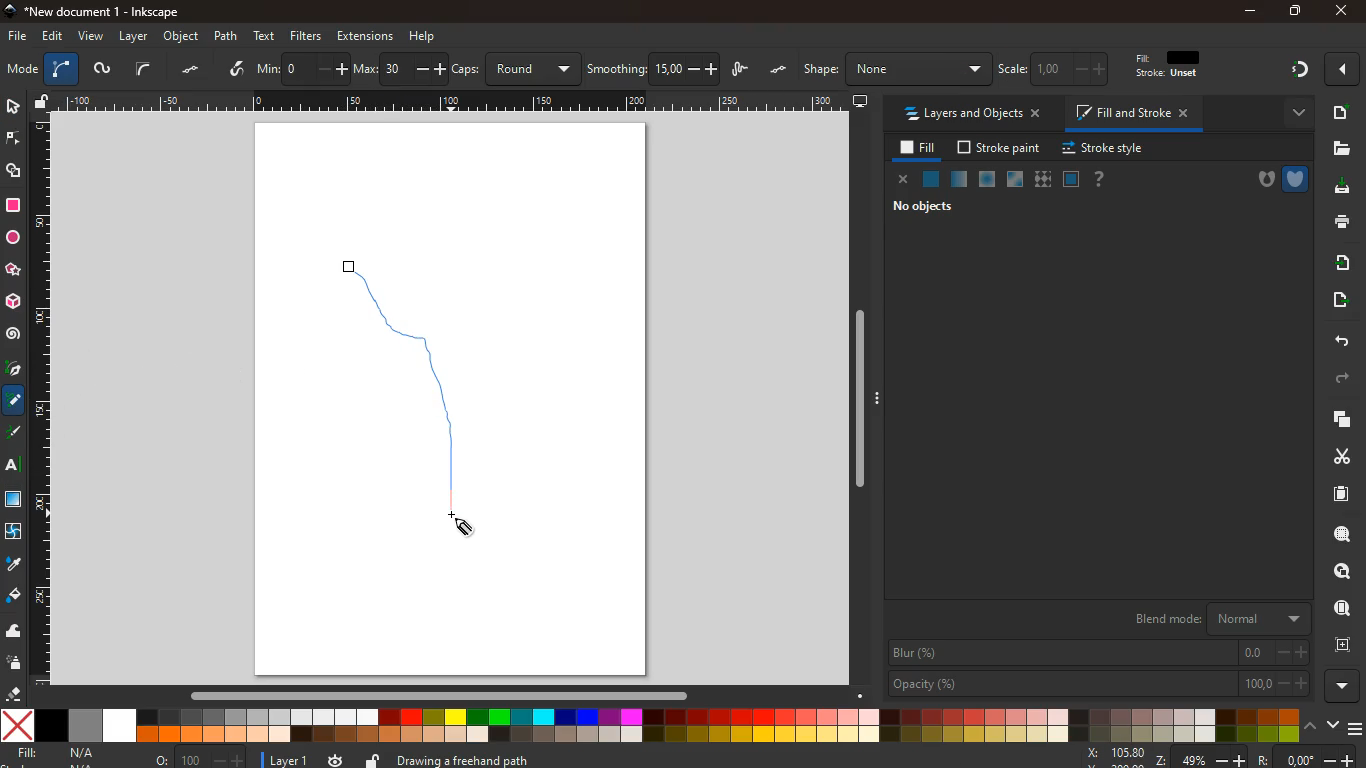  I want to click on minimize, so click(1250, 12).